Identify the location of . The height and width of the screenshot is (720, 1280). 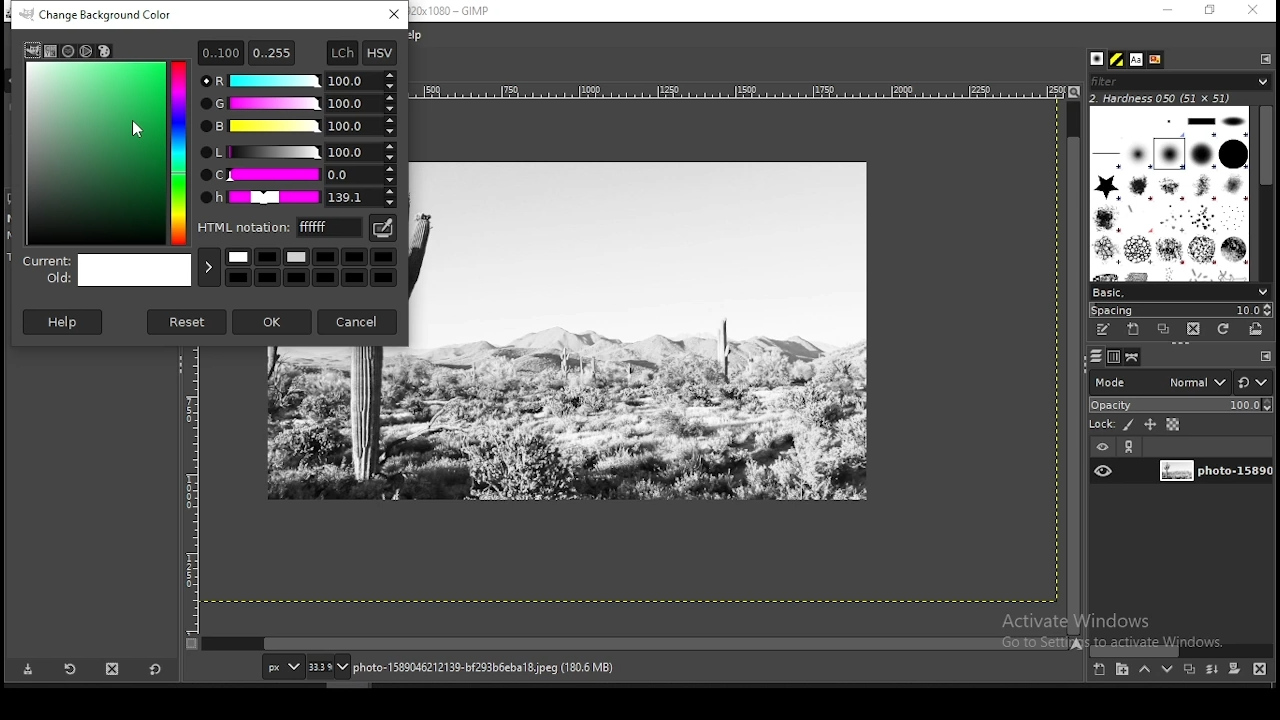
(504, 667).